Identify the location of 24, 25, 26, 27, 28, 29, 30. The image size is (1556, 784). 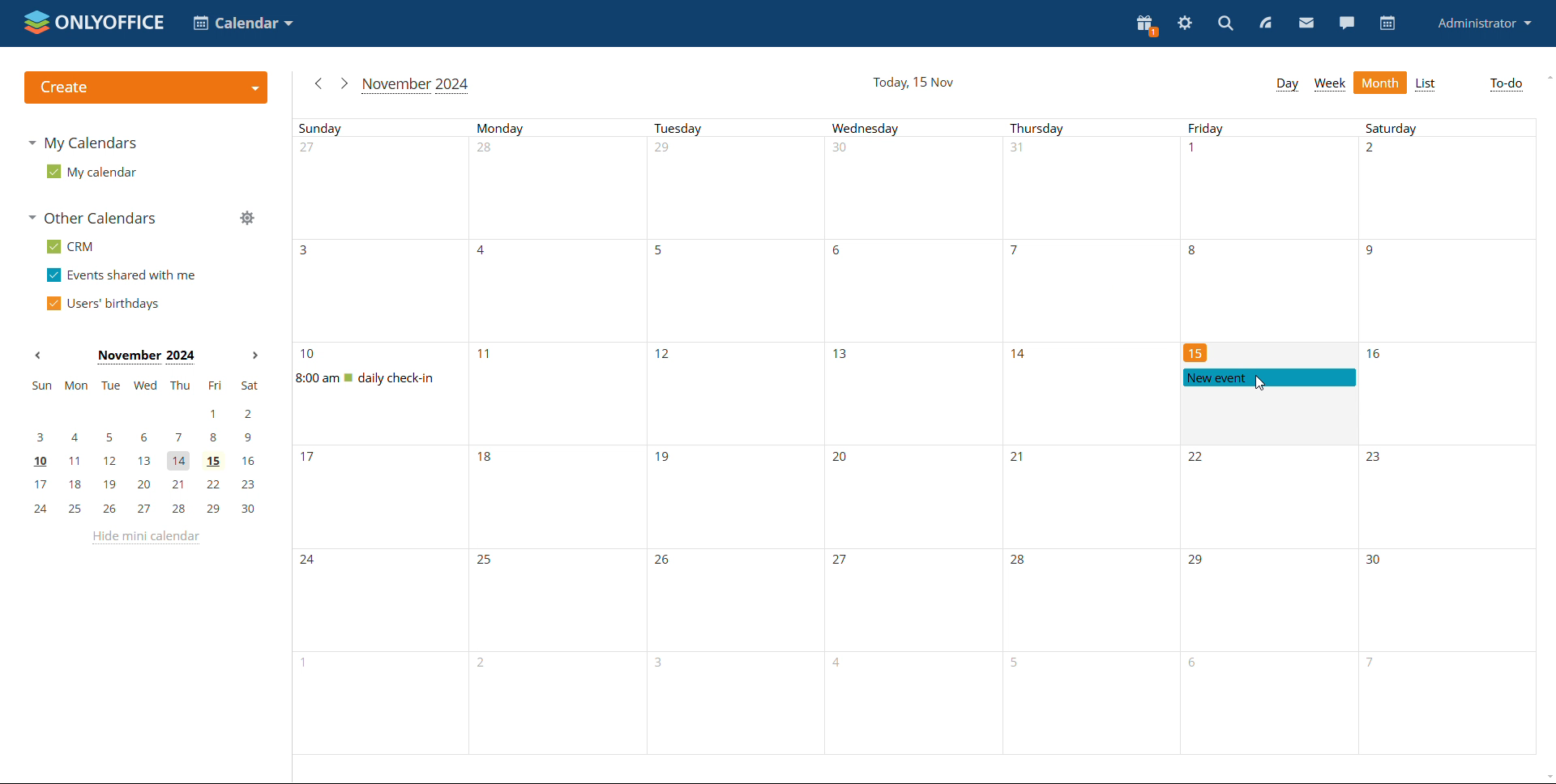
(143, 509).